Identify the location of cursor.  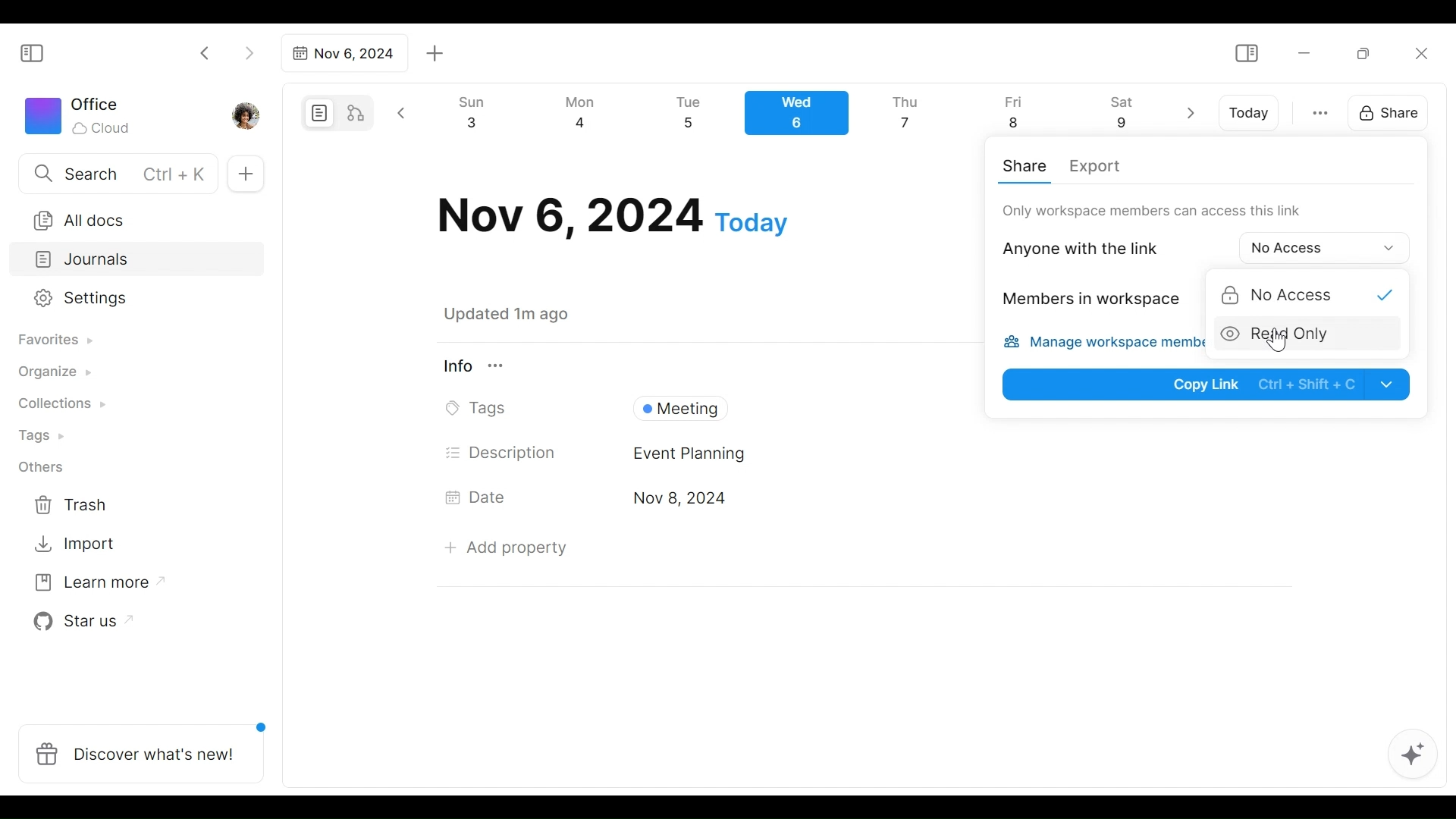
(1279, 345).